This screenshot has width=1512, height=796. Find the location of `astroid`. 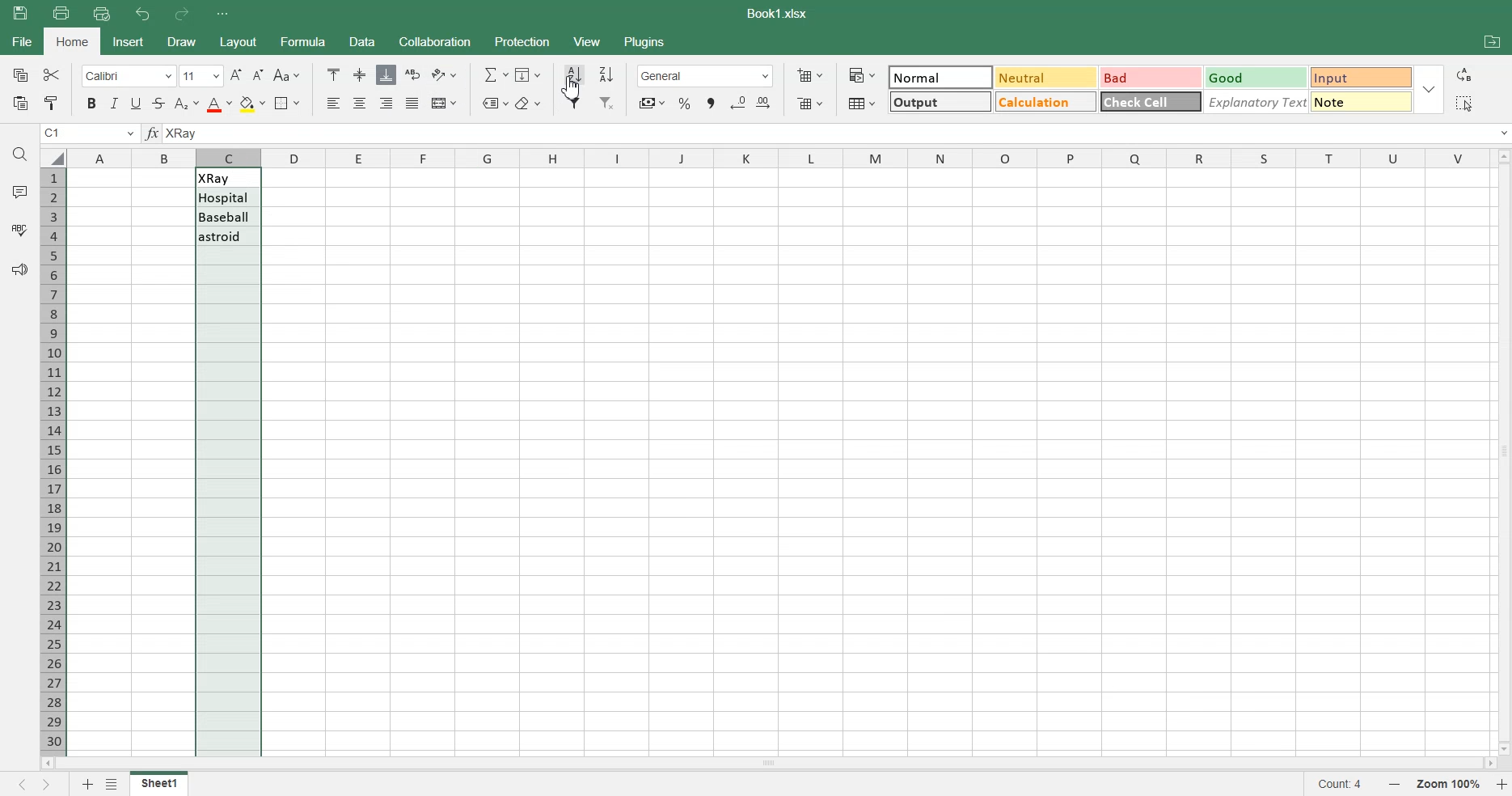

astroid is located at coordinates (227, 236).